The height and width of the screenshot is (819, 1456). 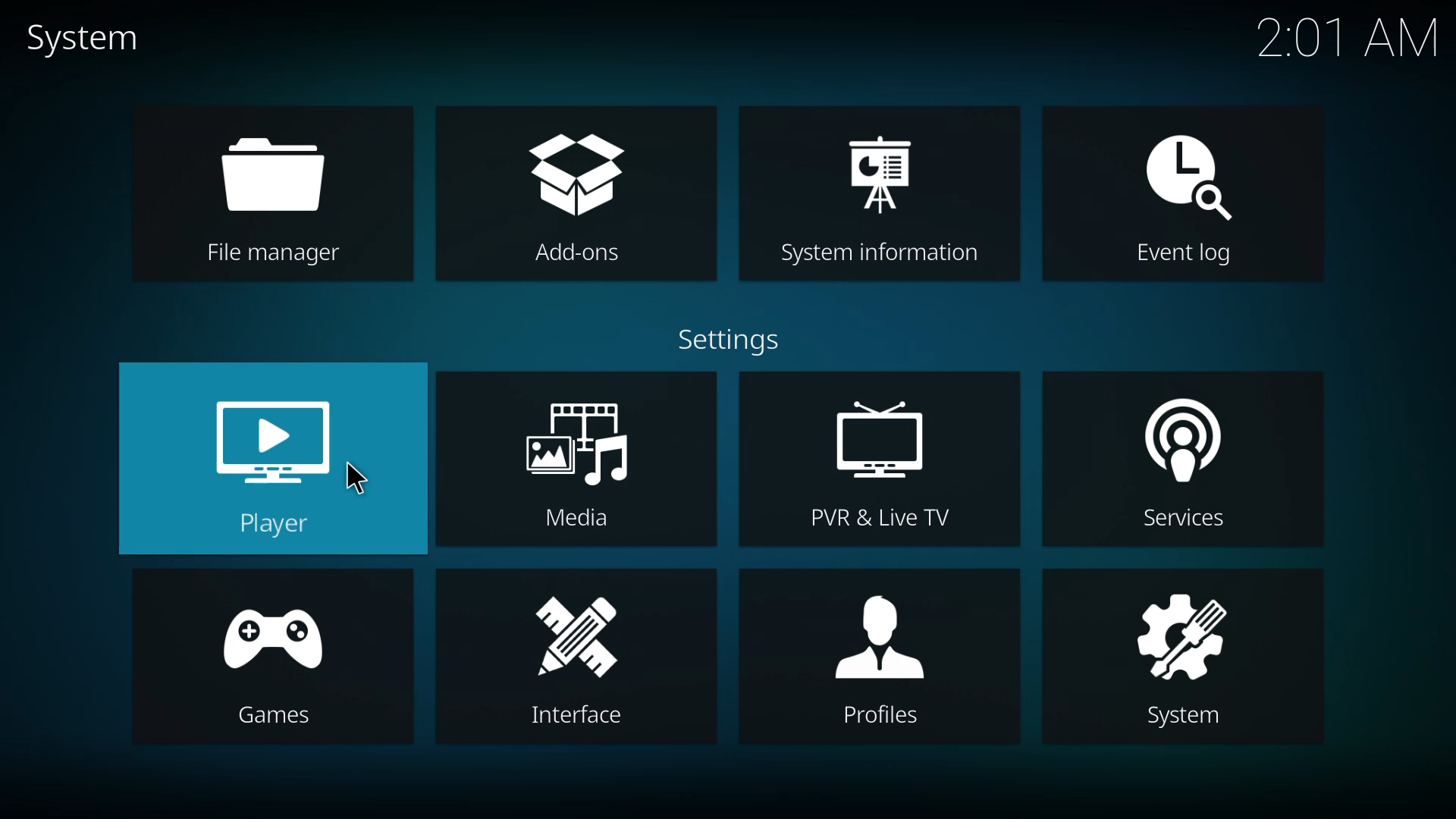 I want to click on pvr & live tv, so click(x=879, y=465).